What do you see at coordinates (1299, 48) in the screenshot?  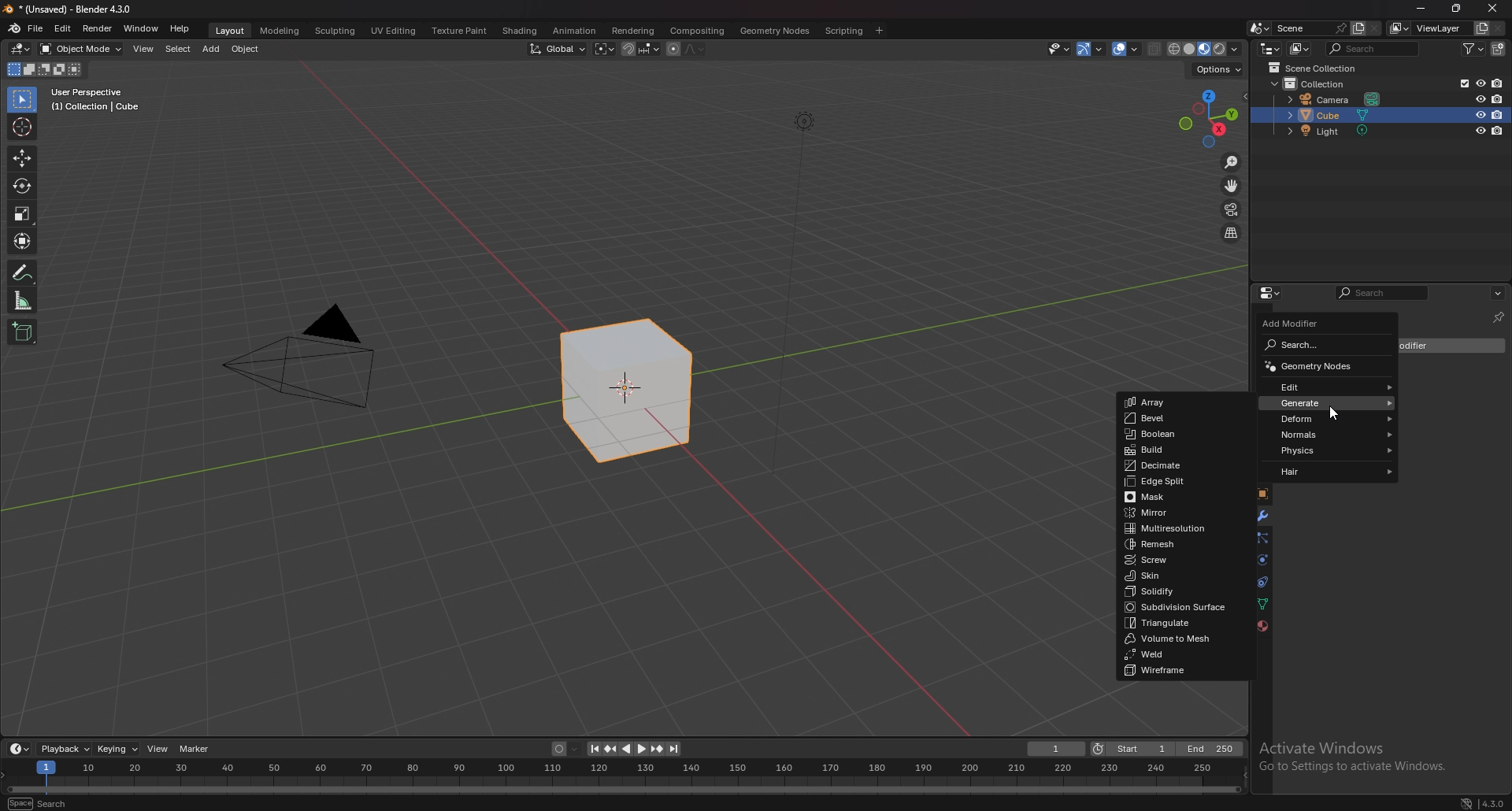 I see `display mode` at bounding box center [1299, 48].